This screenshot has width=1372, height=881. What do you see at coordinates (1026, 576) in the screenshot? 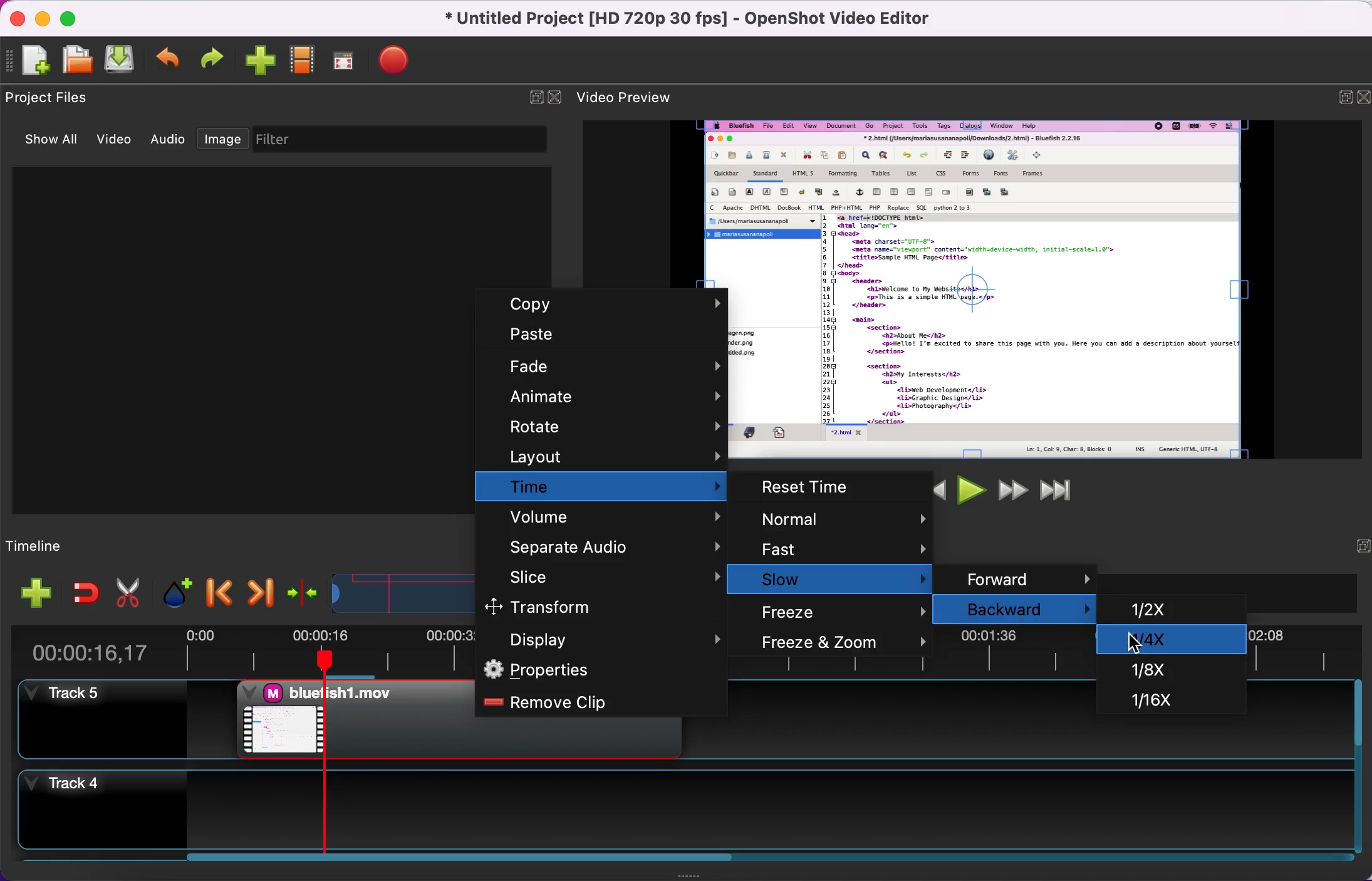
I see `forward` at bounding box center [1026, 576].